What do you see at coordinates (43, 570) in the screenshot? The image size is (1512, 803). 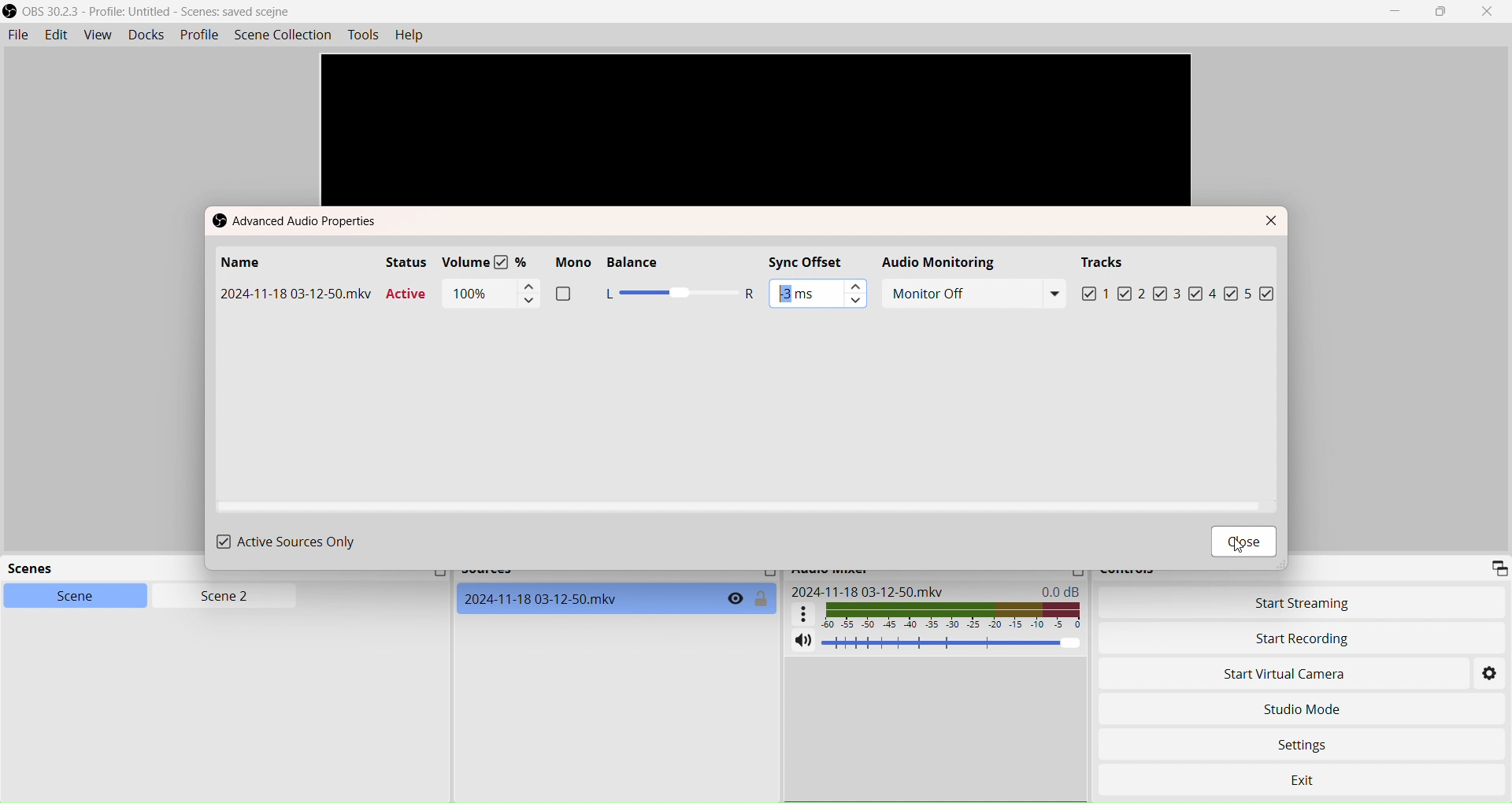 I see `Scenes` at bounding box center [43, 570].